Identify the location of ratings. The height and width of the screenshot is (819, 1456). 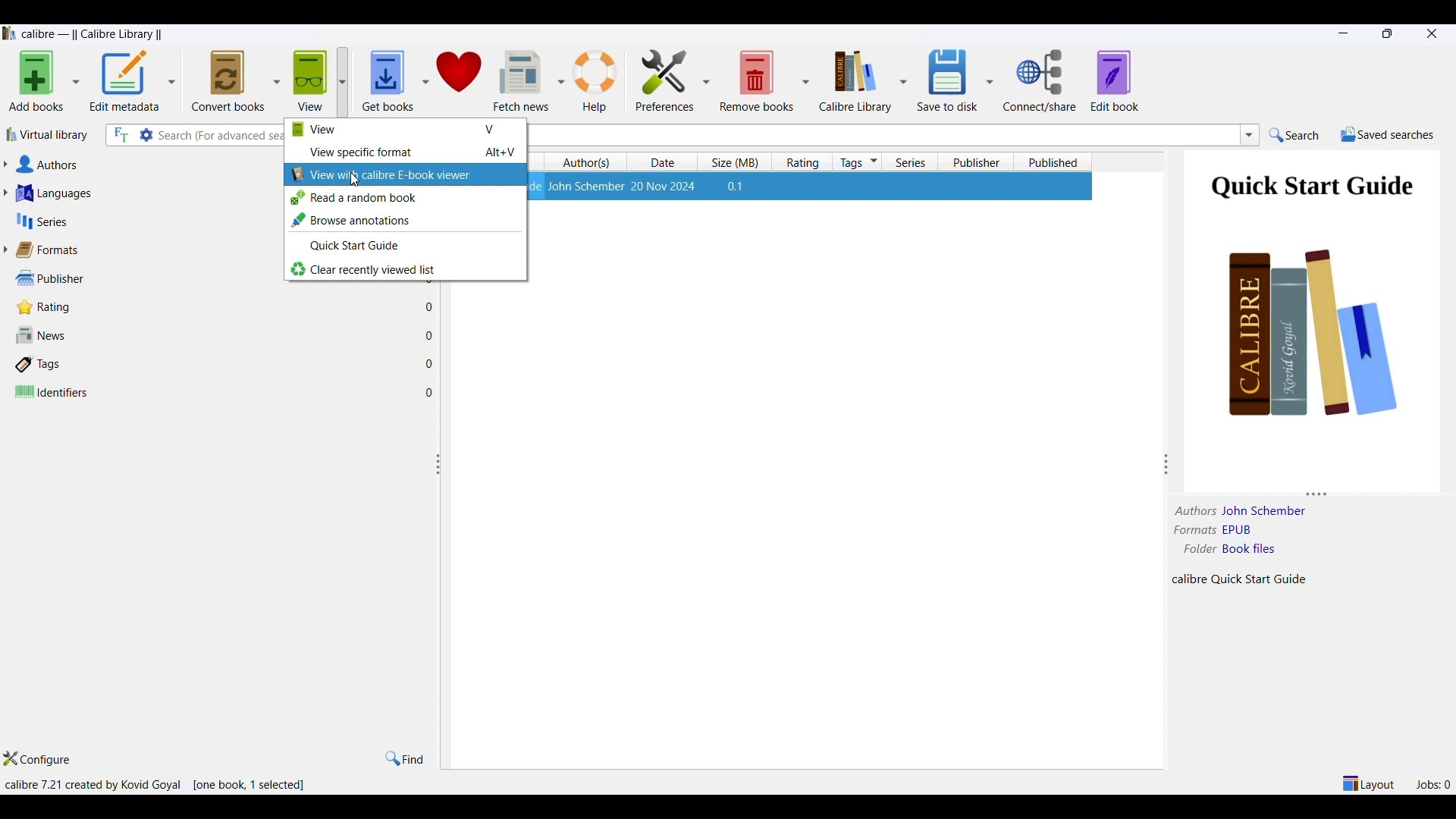
(805, 161).